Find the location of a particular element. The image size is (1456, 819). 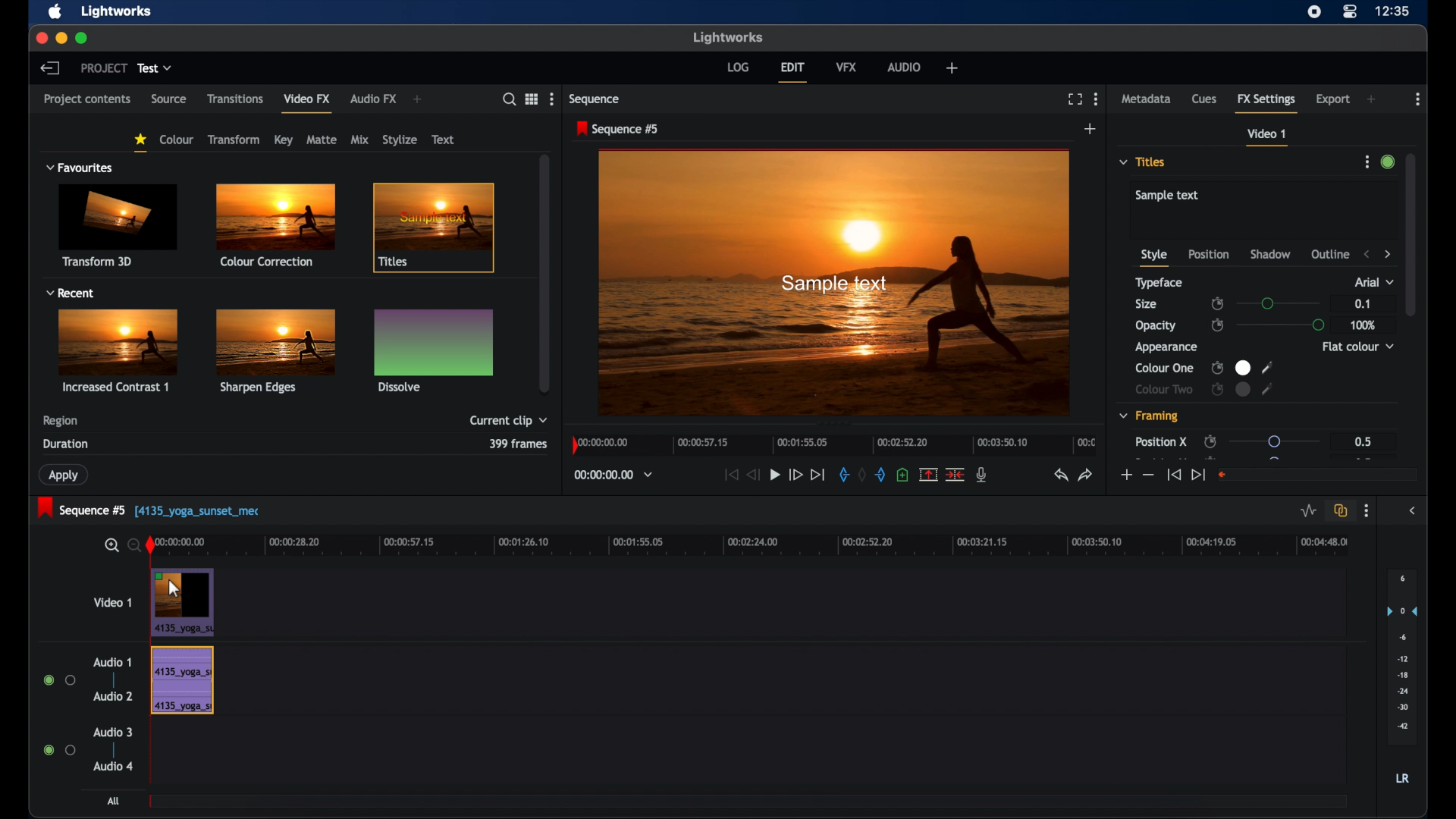

jump to start is located at coordinates (730, 475).